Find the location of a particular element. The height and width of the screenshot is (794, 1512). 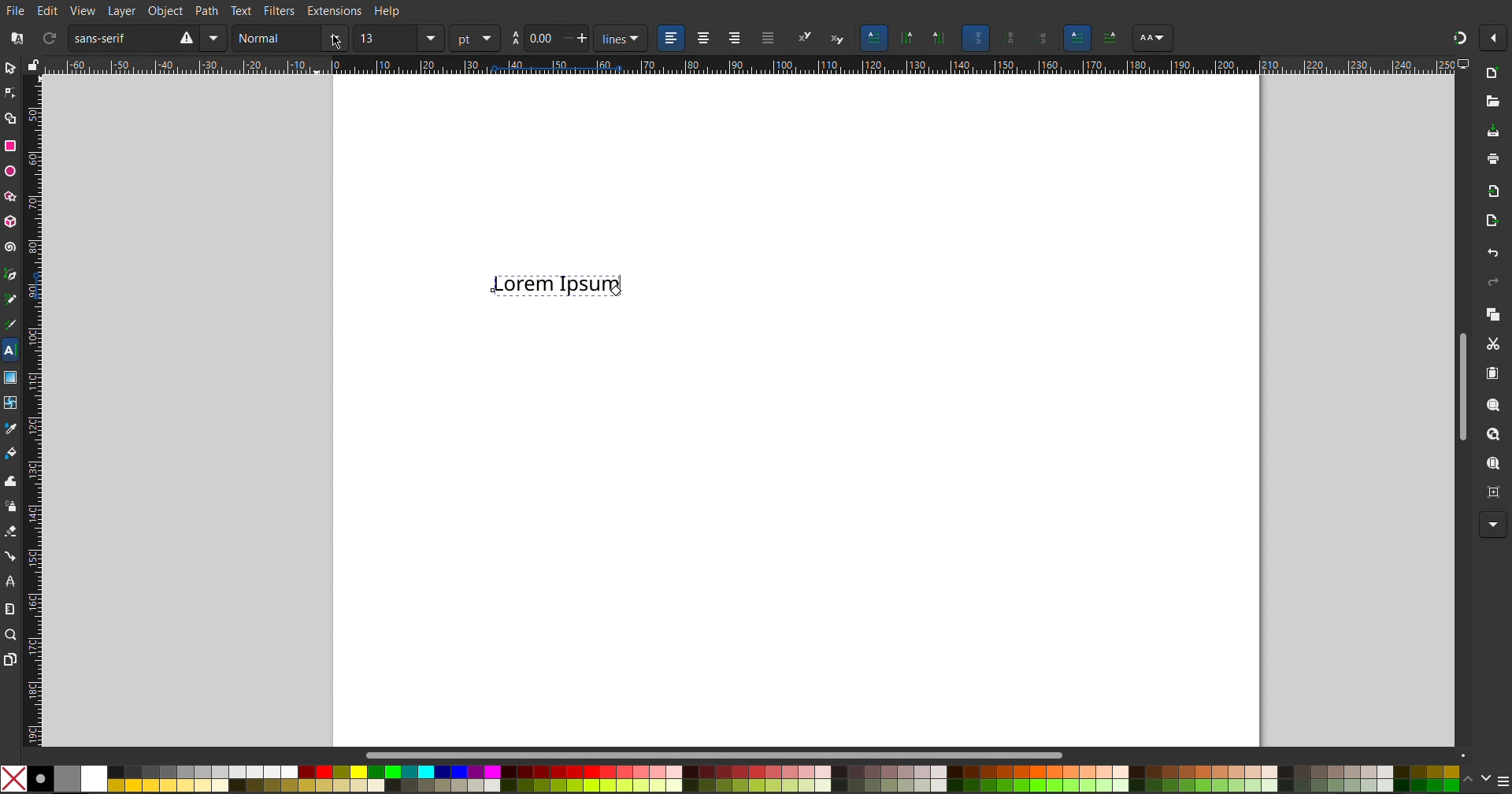

Zoom Tool is located at coordinates (13, 636).